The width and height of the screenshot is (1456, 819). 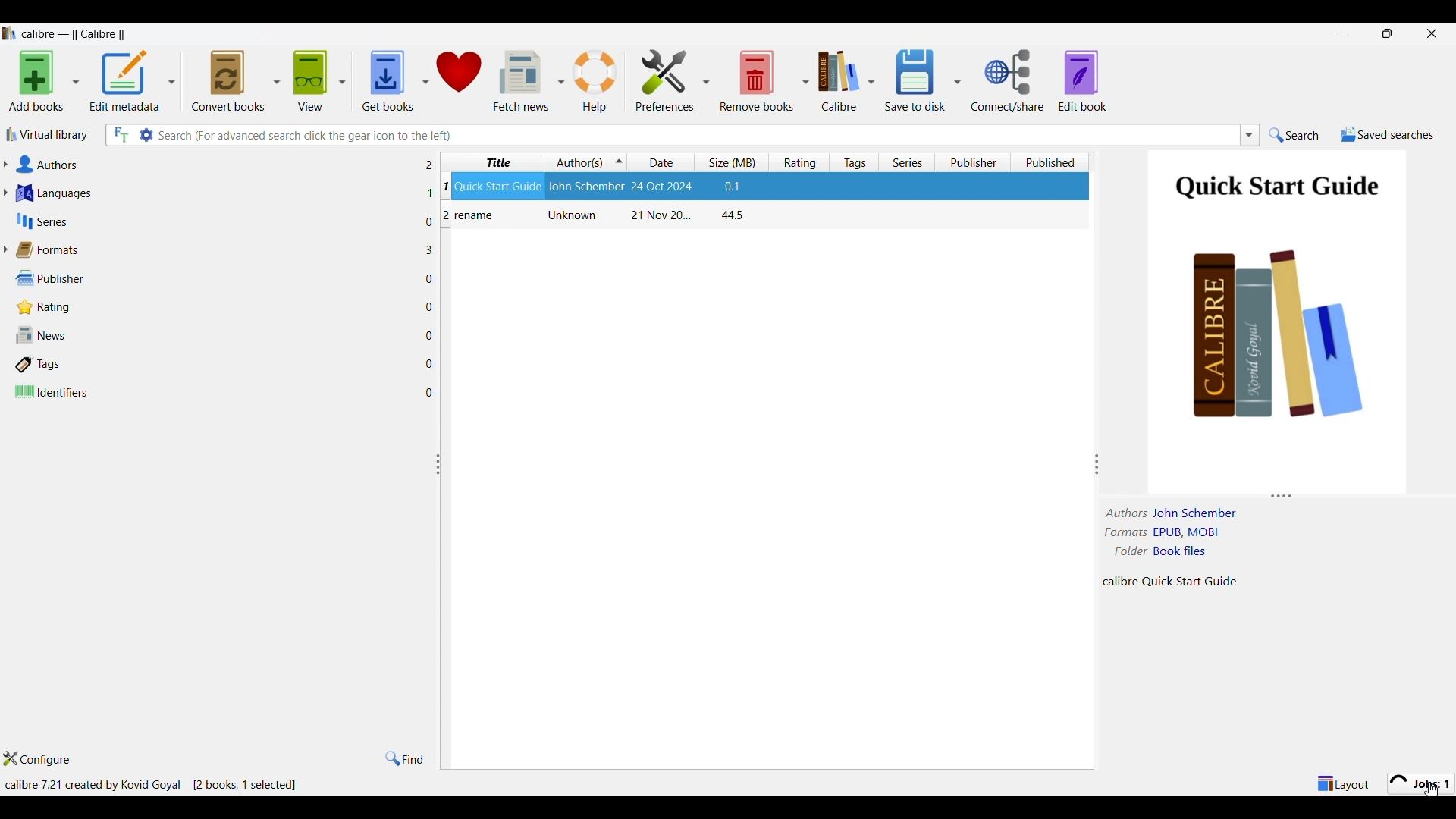 I want to click on Publisher column, so click(x=977, y=162).